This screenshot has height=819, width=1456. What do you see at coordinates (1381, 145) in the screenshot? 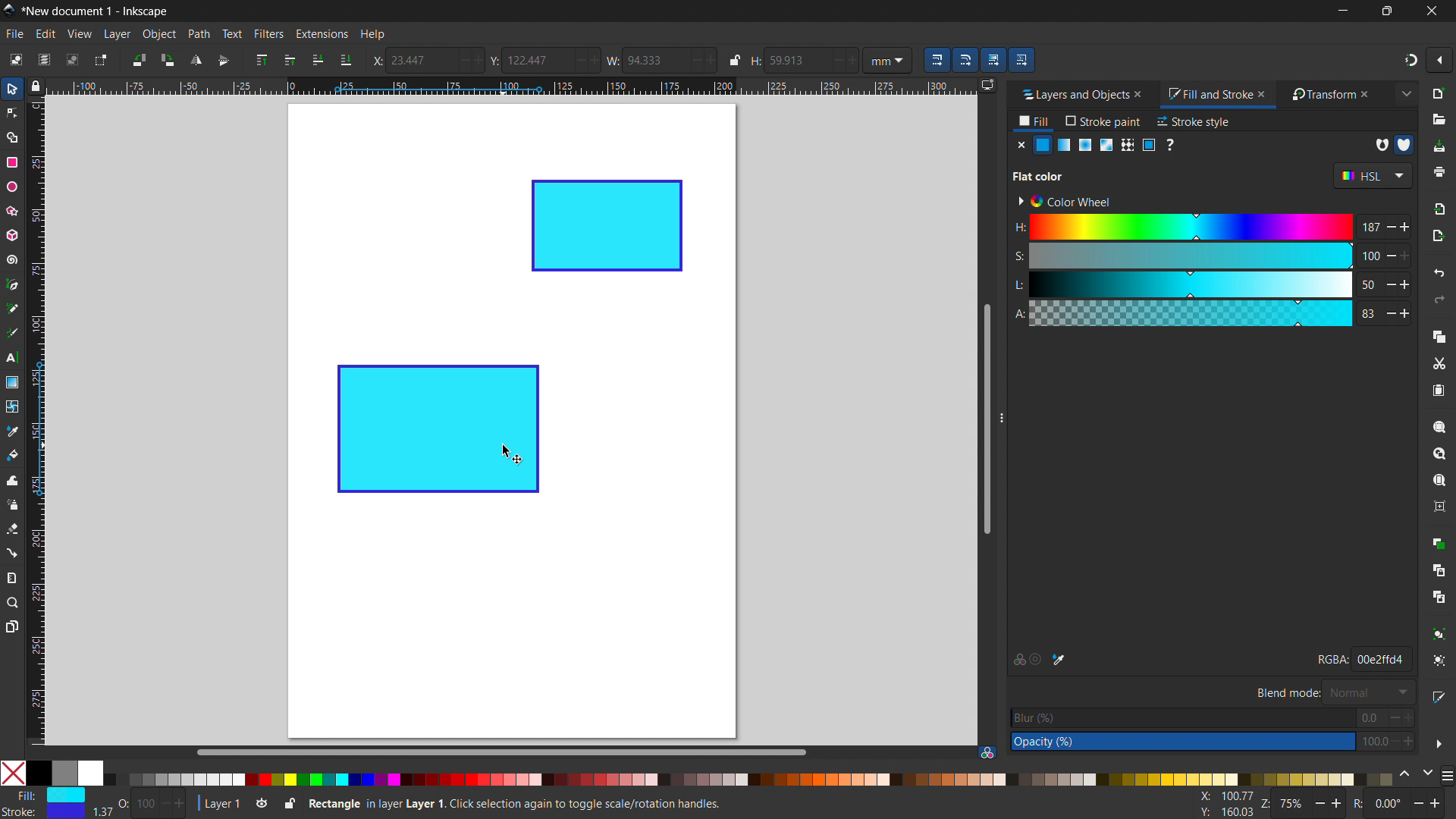
I see `any path self-intersections or subpaths create holes in the fill` at bounding box center [1381, 145].